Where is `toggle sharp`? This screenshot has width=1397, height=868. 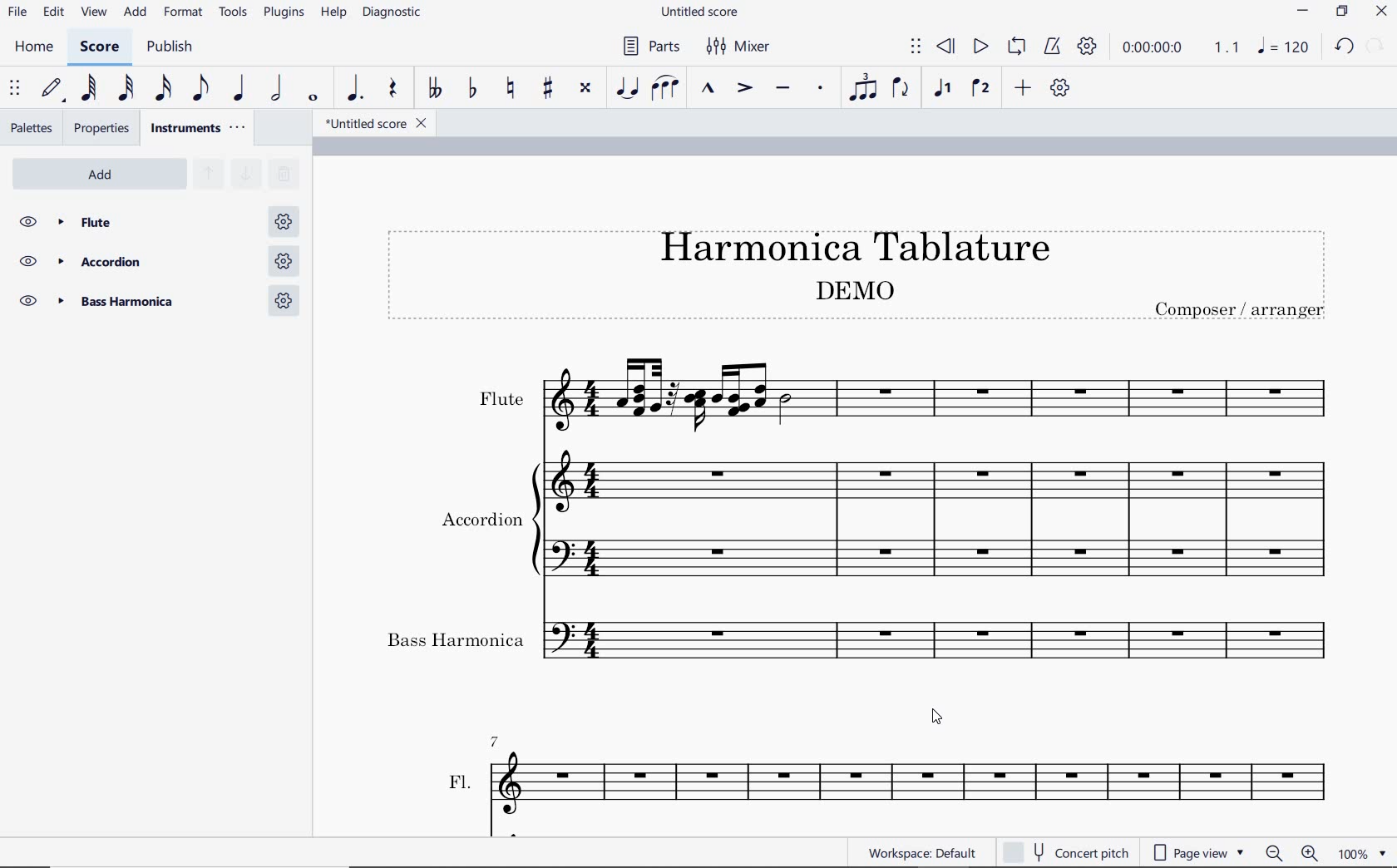 toggle sharp is located at coordinates (547, 89).